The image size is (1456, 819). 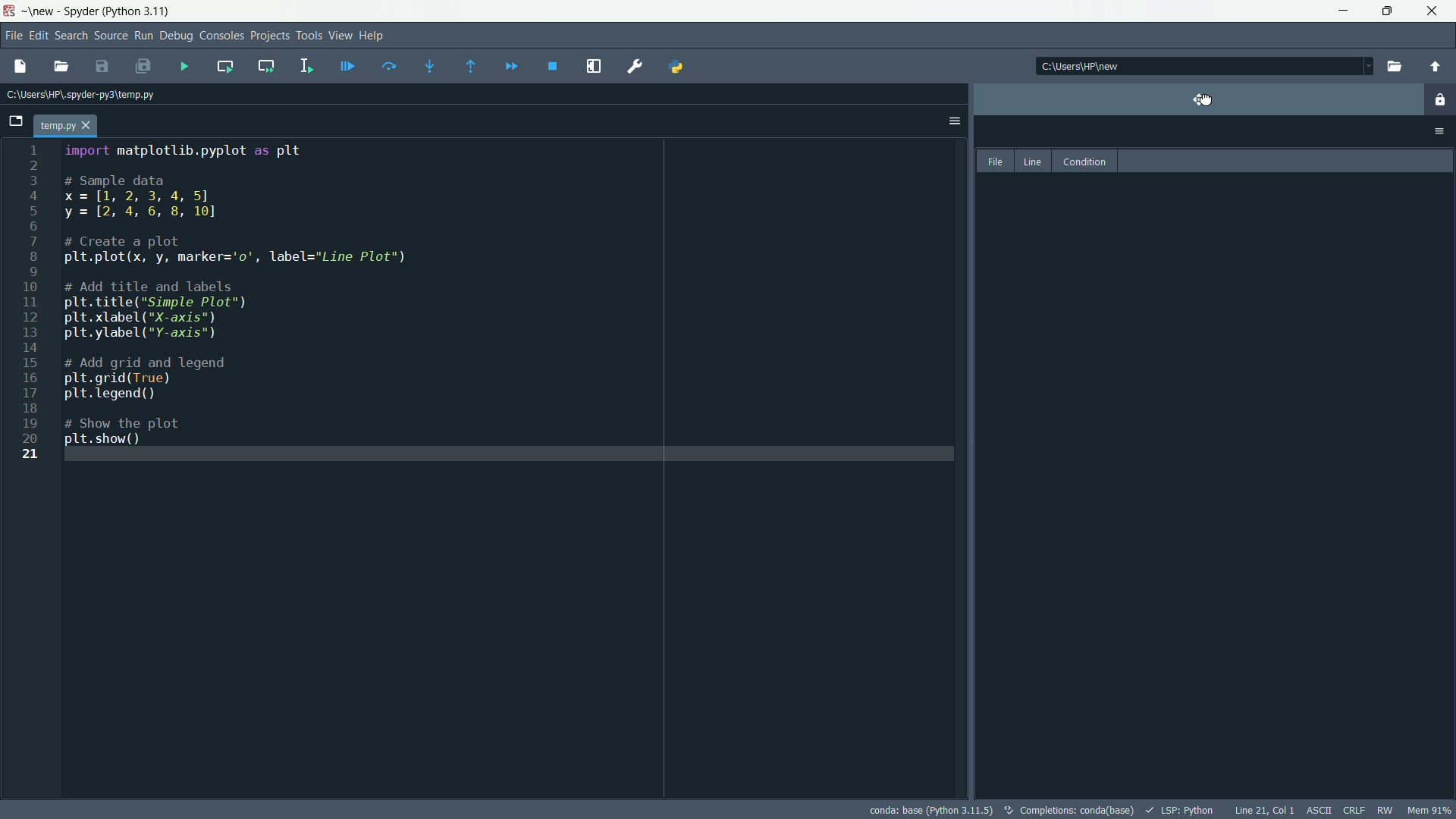 I want to click on view menu, so click(x=340, y=35).